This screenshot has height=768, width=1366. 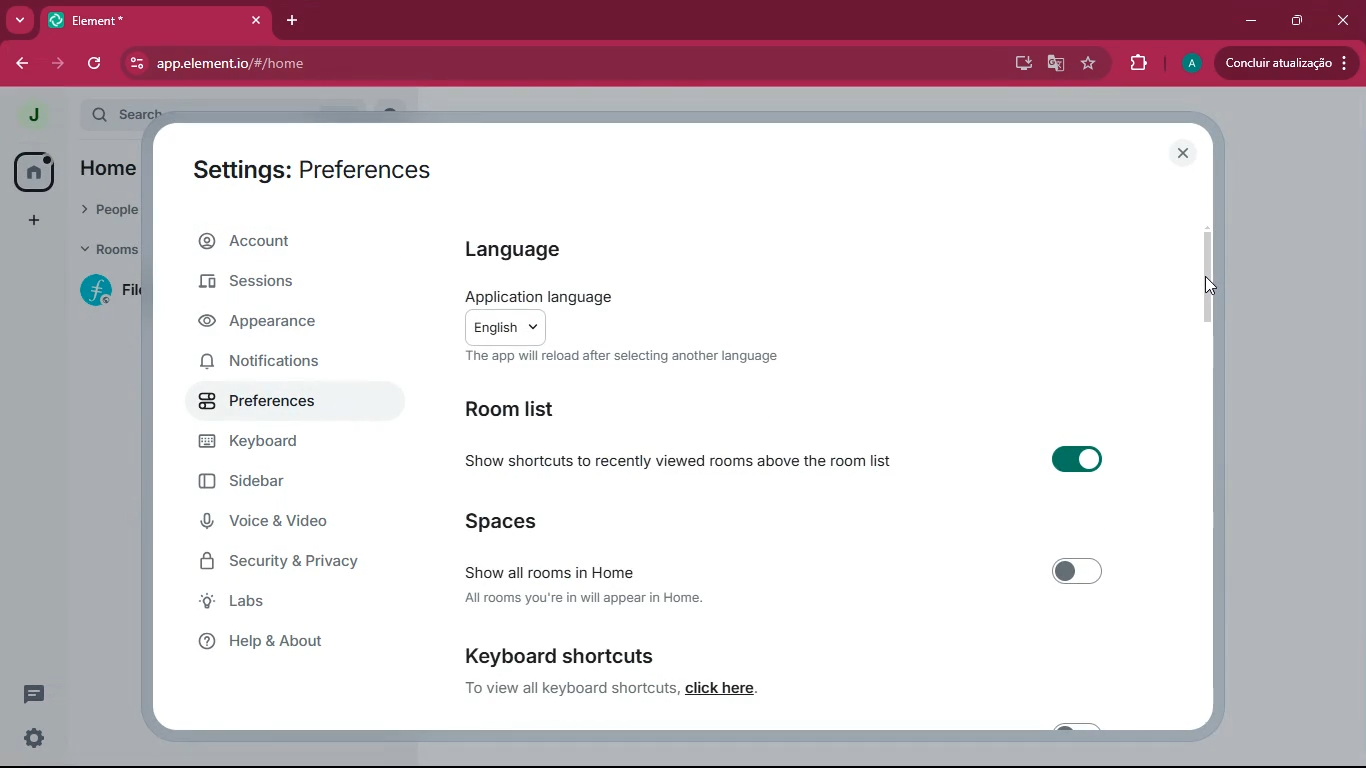 What do you see at coordinates (55, 64) in the screenshot?
I see `forward` at bounding box center [55, 64].